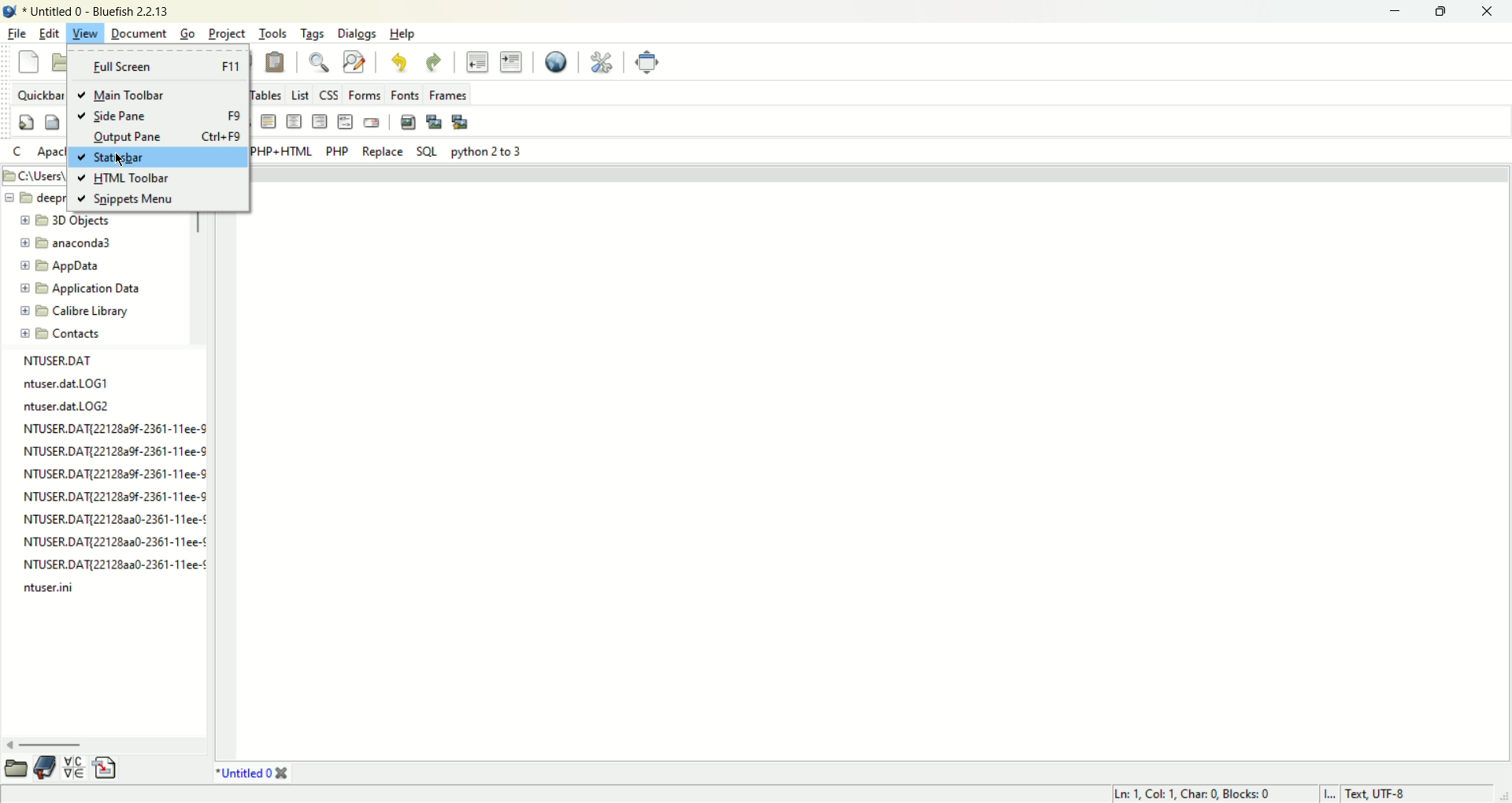  Describe the element at coordinates (138, 33) in the screenshot. I see `document` at that location.